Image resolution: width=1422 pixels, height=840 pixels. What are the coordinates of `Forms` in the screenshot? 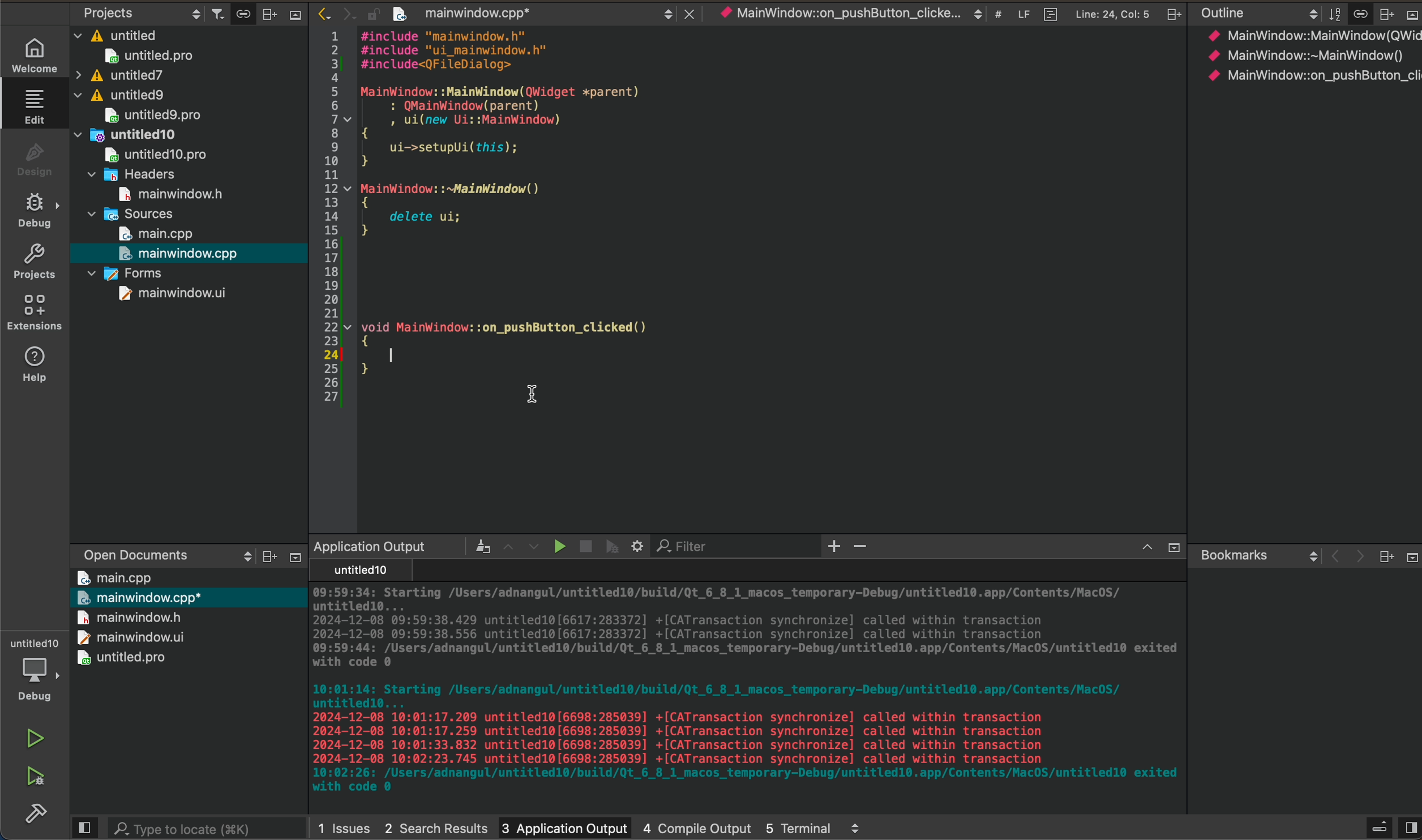 It's located at (125, 272).